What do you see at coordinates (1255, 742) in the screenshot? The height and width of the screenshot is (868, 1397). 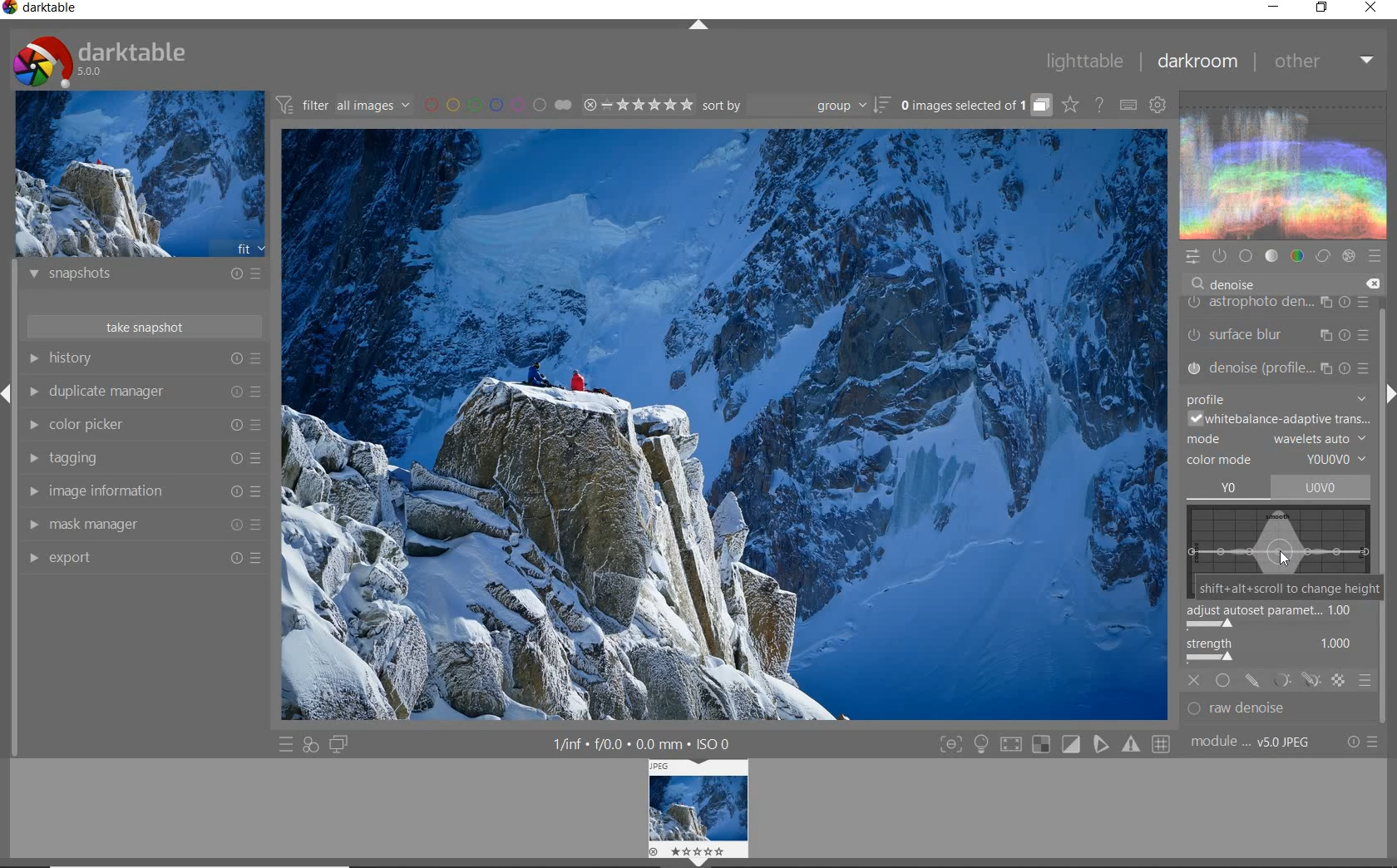 I see `module..v50JPEG` at bounding box center [1255, 742].